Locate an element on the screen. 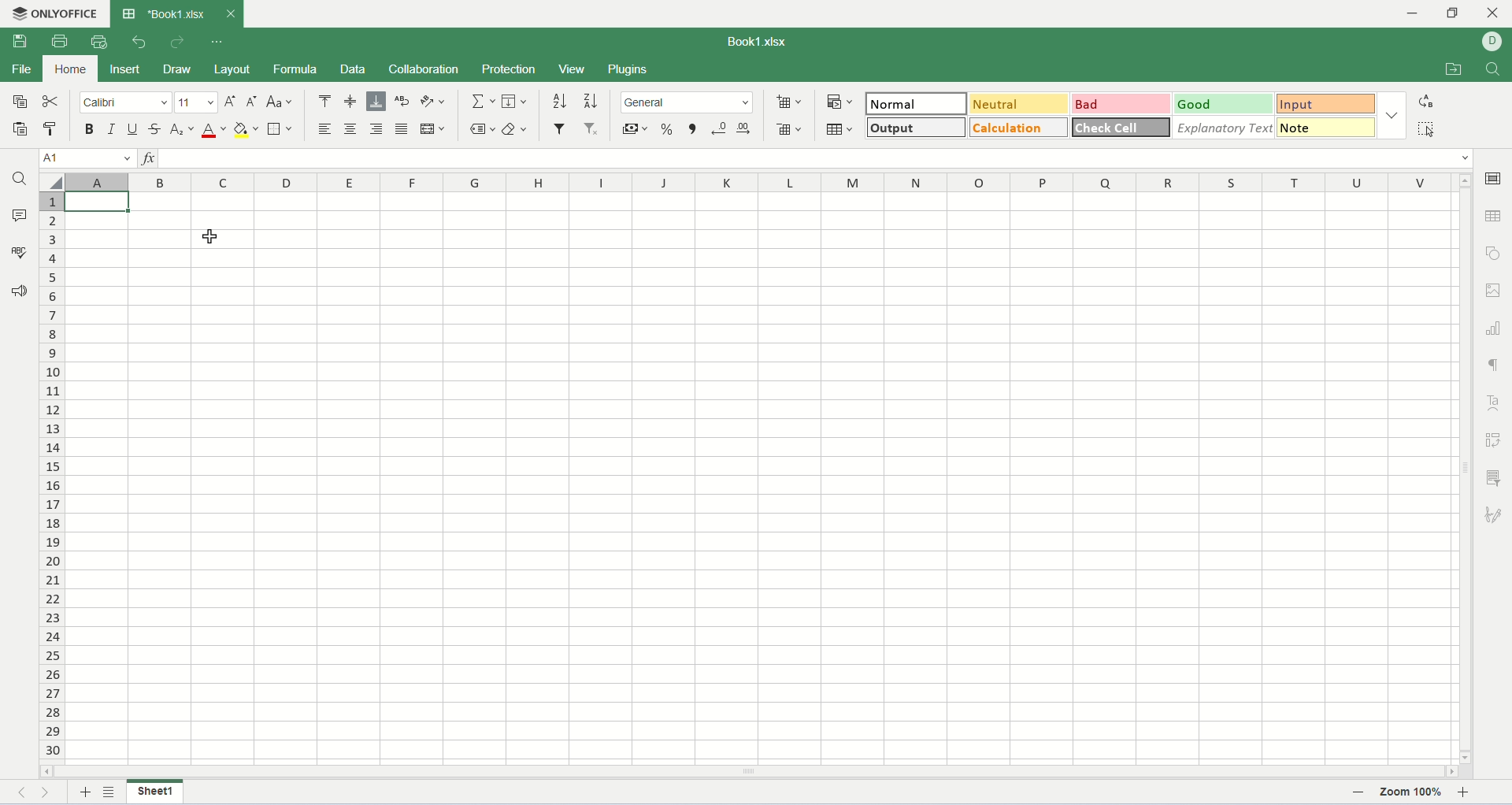  Book1.xlsx is located at coordinates (758, 40).